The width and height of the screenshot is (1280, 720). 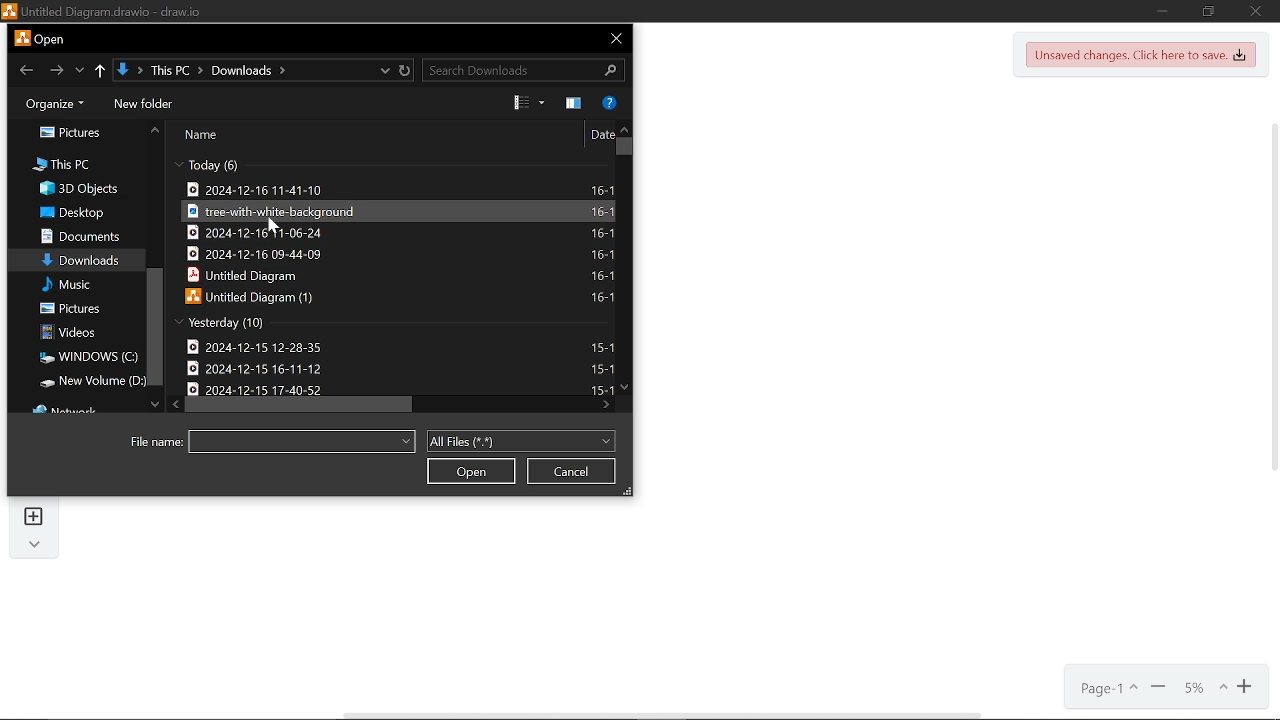 I want to click on windows(C:), so click(x=83, y=357).